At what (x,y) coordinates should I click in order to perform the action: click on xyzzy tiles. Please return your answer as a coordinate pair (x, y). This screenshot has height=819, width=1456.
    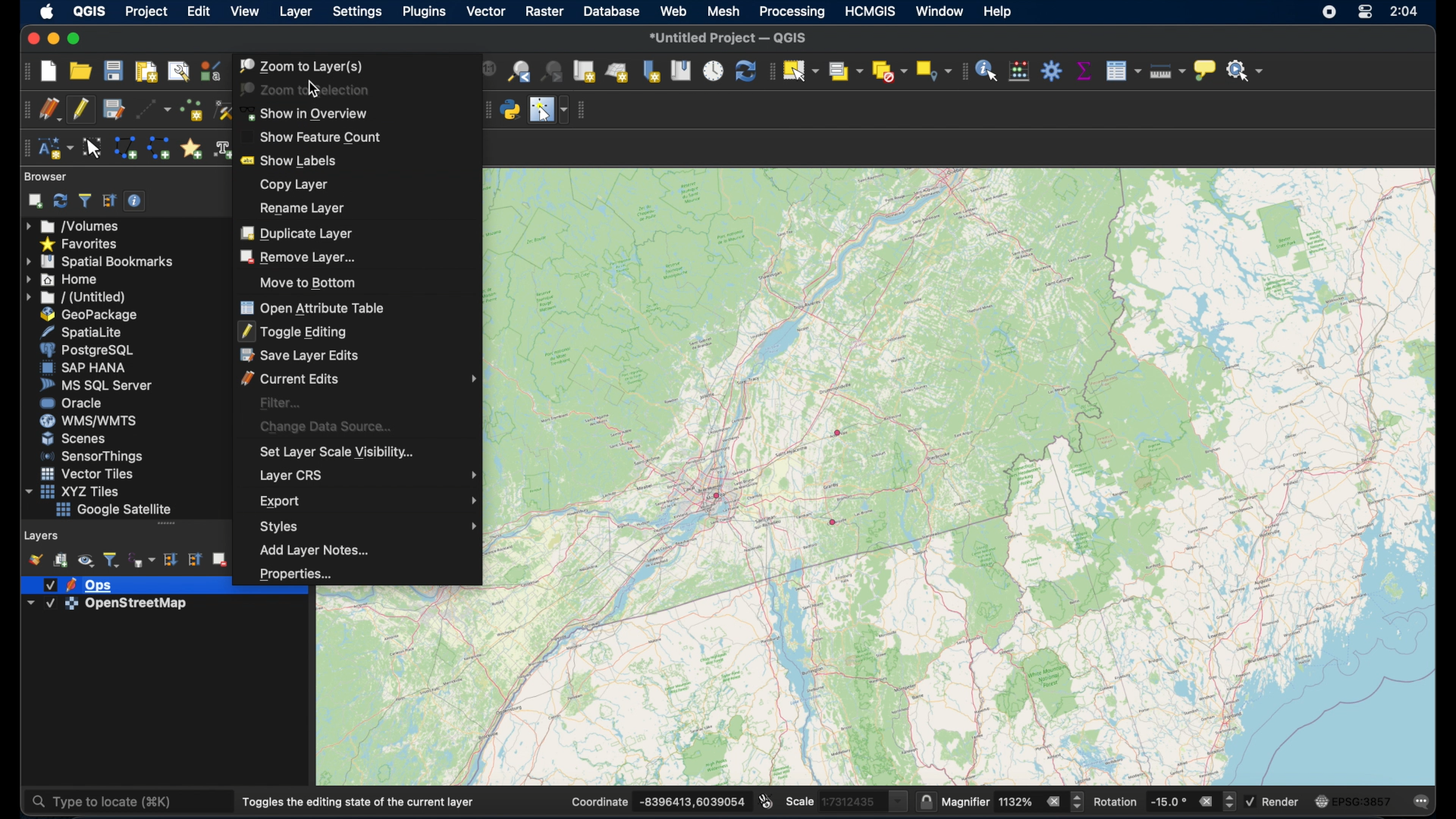
    Looking at the image, I should click on (74, 491).